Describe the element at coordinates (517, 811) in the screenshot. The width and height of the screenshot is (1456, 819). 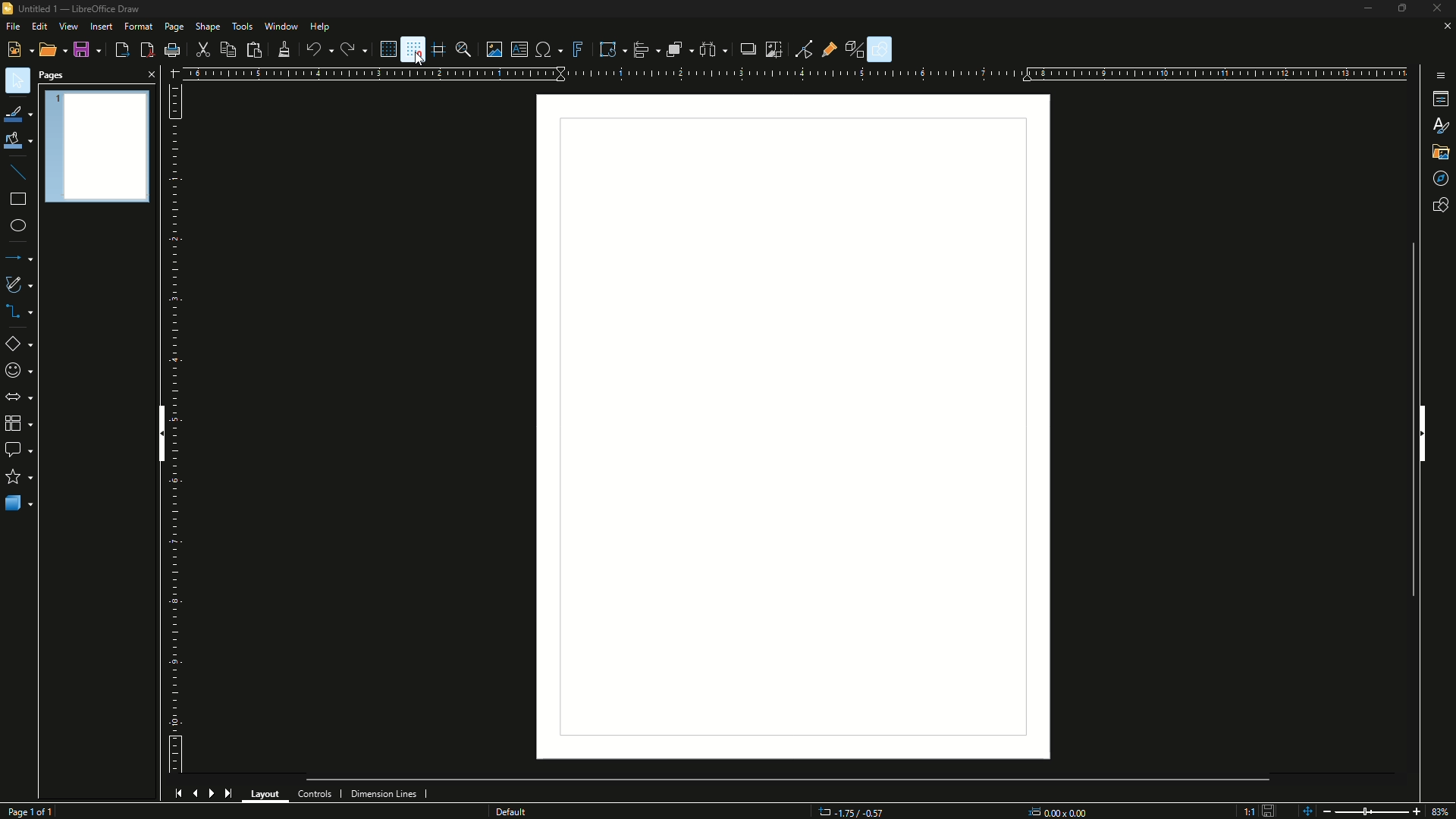
I see `` at that location.